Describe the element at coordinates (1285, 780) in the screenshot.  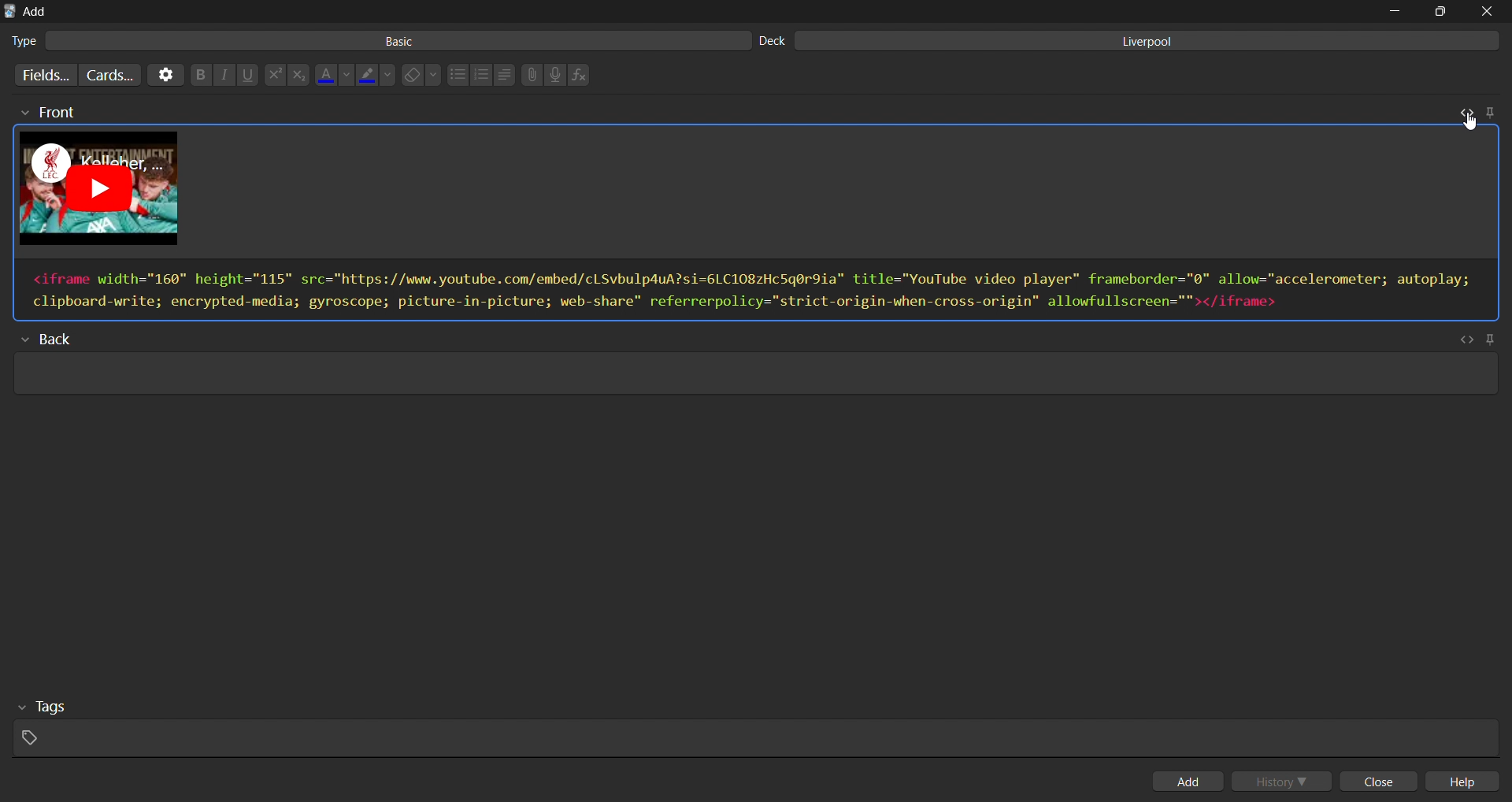
I see `history` at that location.